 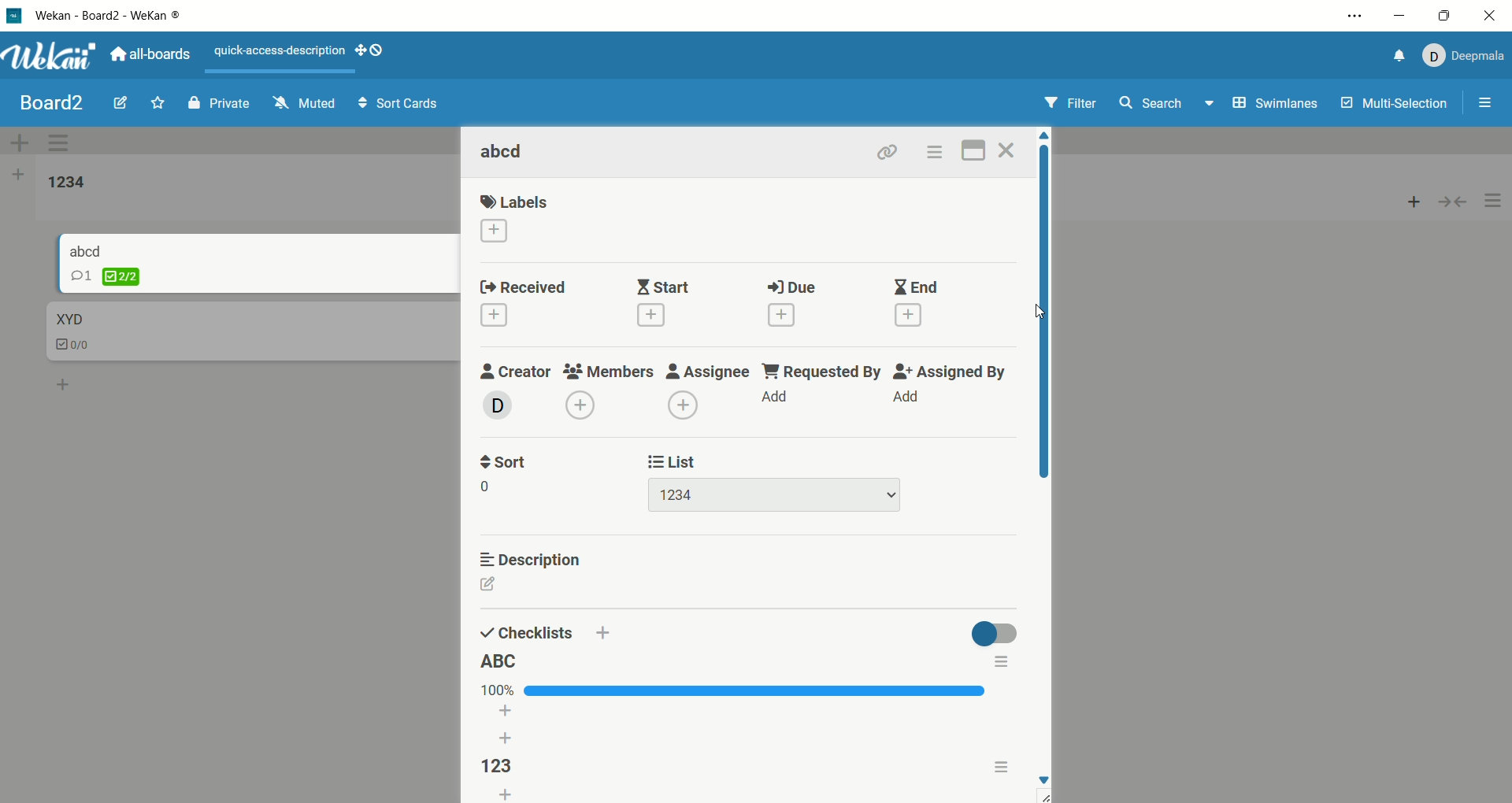 I want to click on Up, so click(x=1043, y=135).